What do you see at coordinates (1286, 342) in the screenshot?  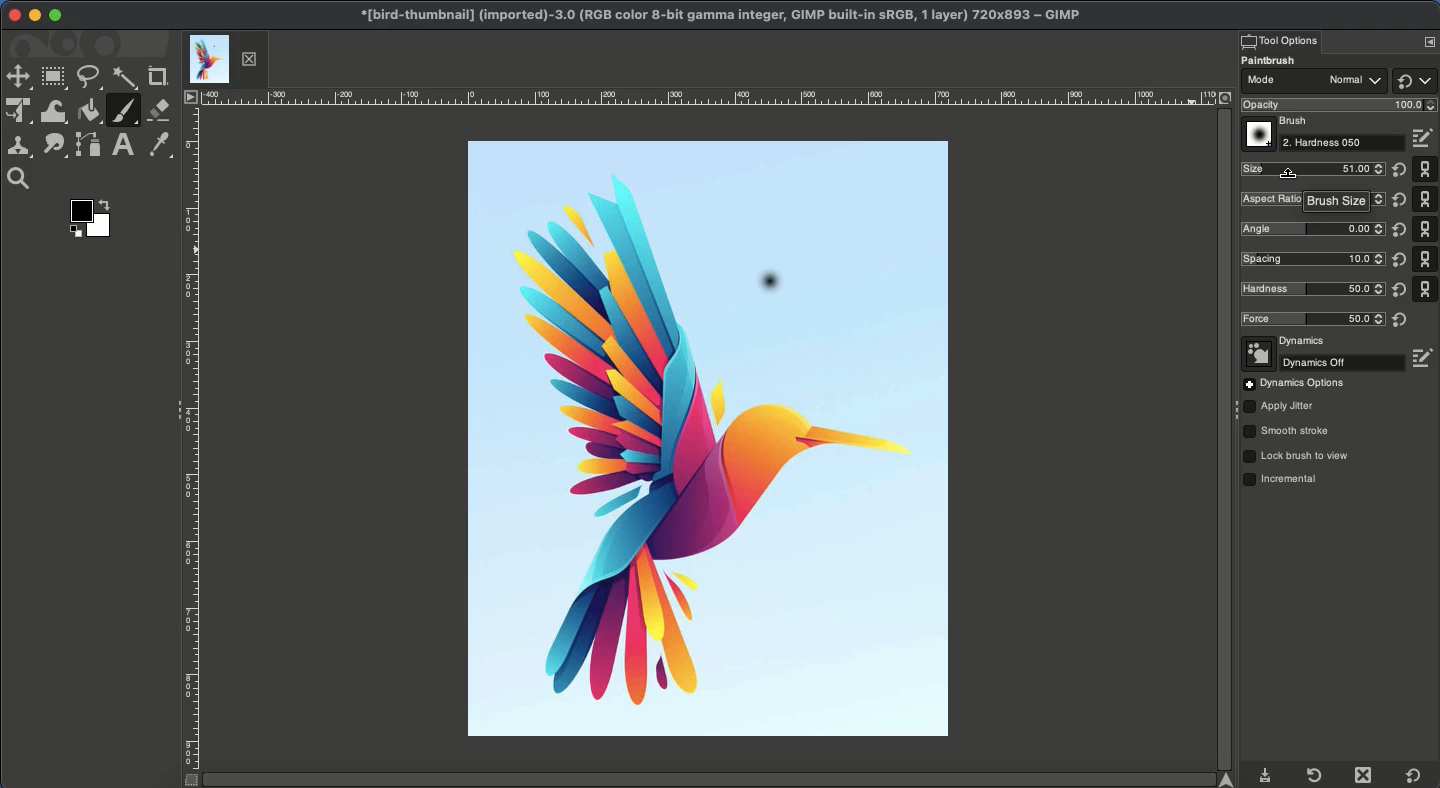 I see `Dynamics` at bounding box center [1286, 342].